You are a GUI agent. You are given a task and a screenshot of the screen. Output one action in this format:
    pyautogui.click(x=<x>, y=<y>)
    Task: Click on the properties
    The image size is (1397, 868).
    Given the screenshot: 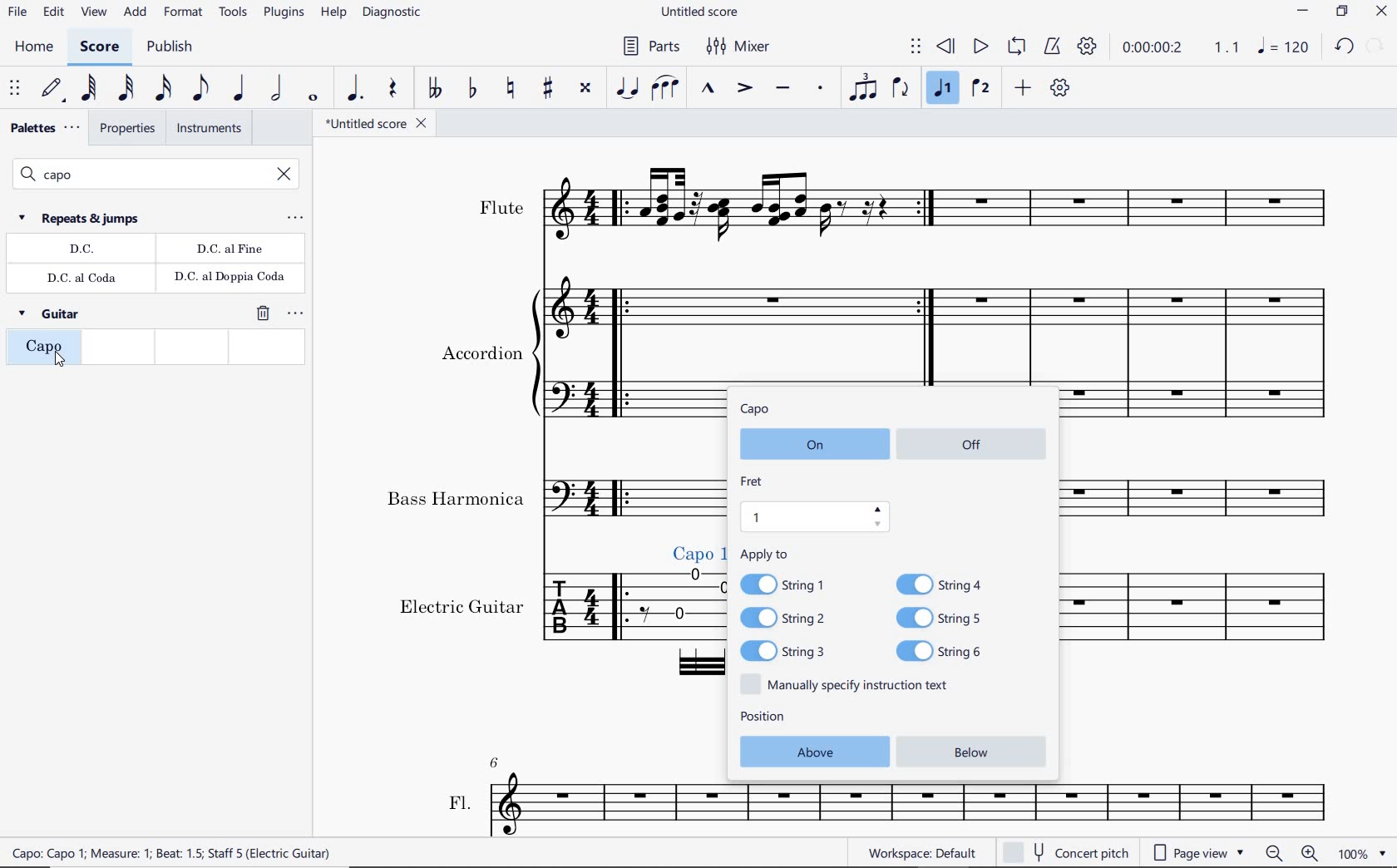 What is the action you would take?
    pyautogui.click(x=126, y=131)
    